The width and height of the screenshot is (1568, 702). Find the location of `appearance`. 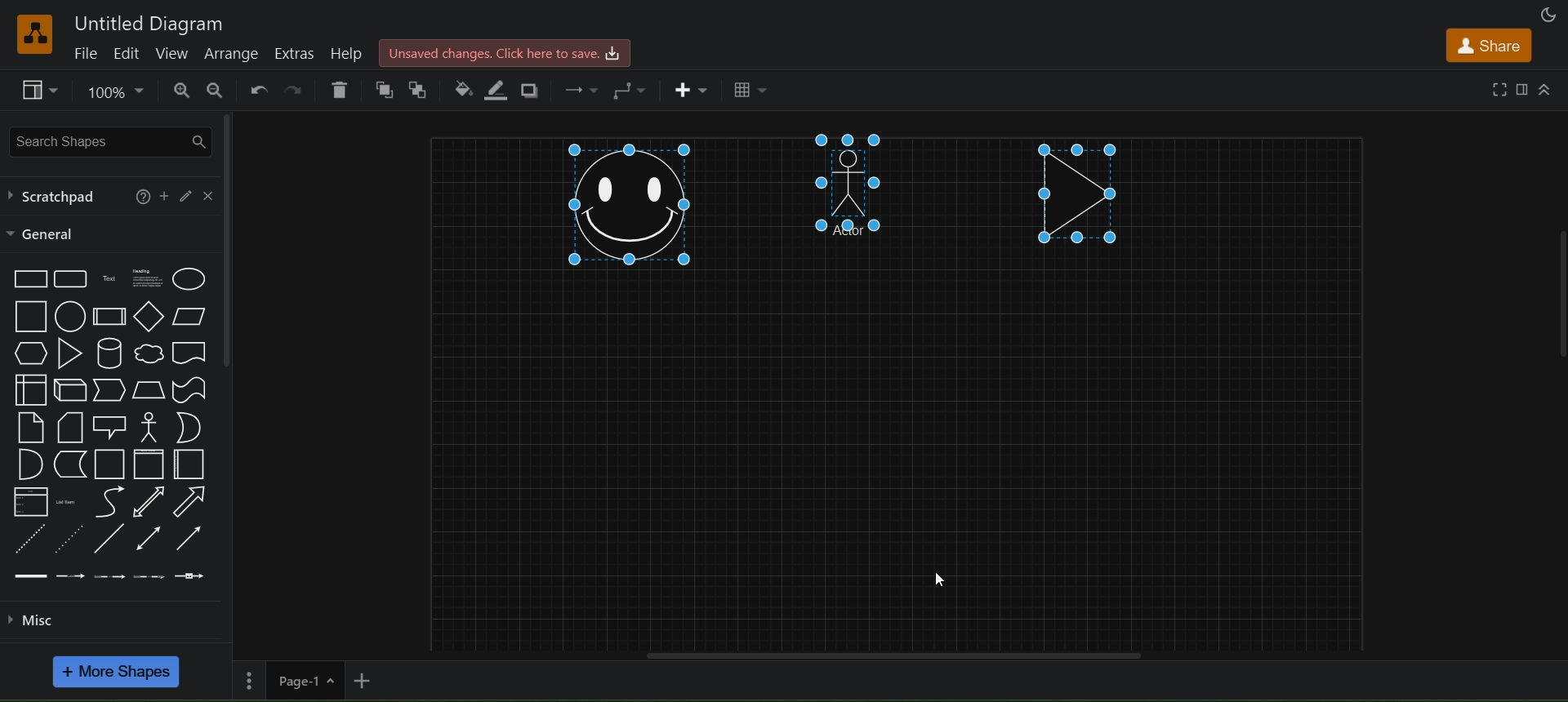

appearance is located at coordinates (1547, 15).